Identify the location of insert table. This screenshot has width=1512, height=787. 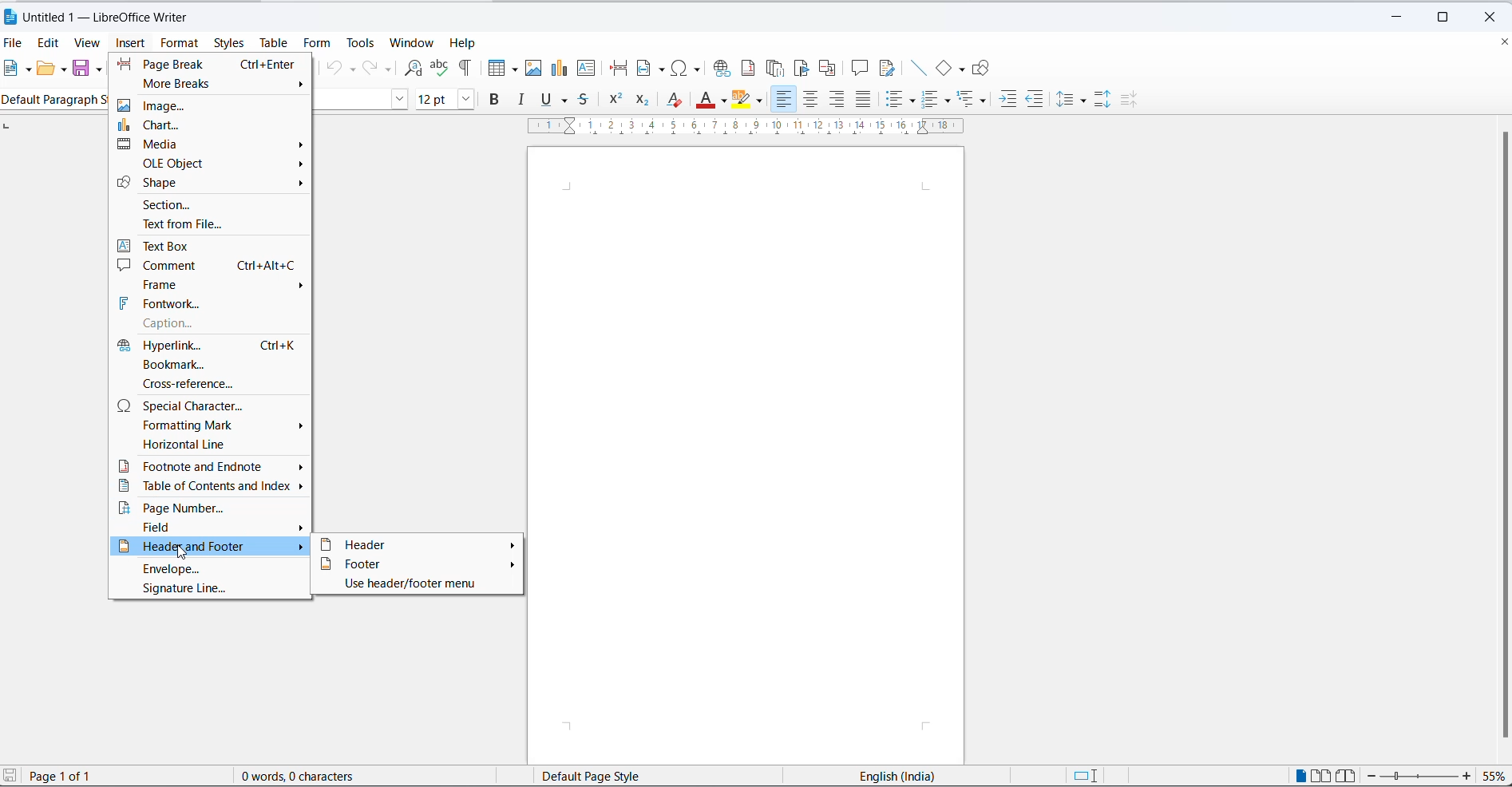
(493, 68).